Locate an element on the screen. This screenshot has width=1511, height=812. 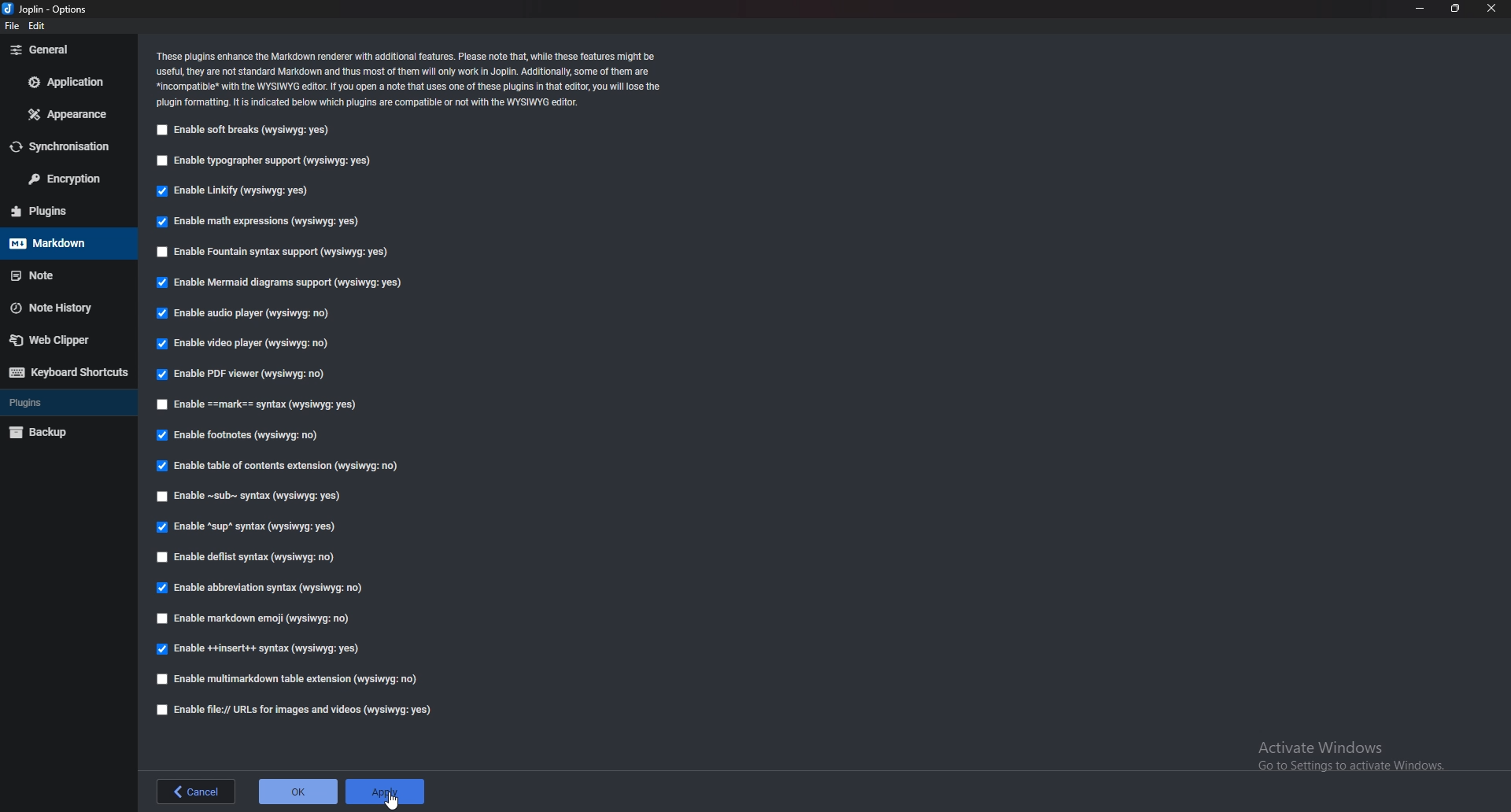
ok is located at coordinates (299, 790).